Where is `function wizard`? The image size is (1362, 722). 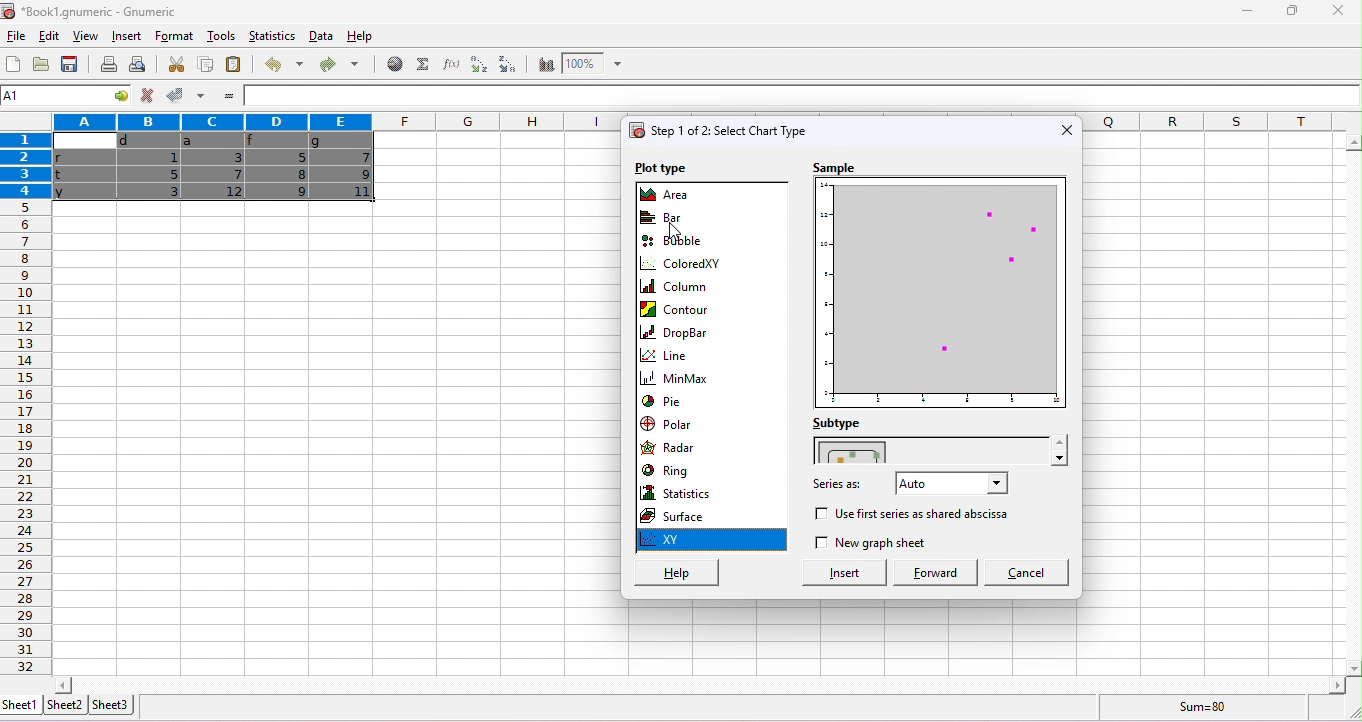 function wizard is located at coordinates (449, 63).